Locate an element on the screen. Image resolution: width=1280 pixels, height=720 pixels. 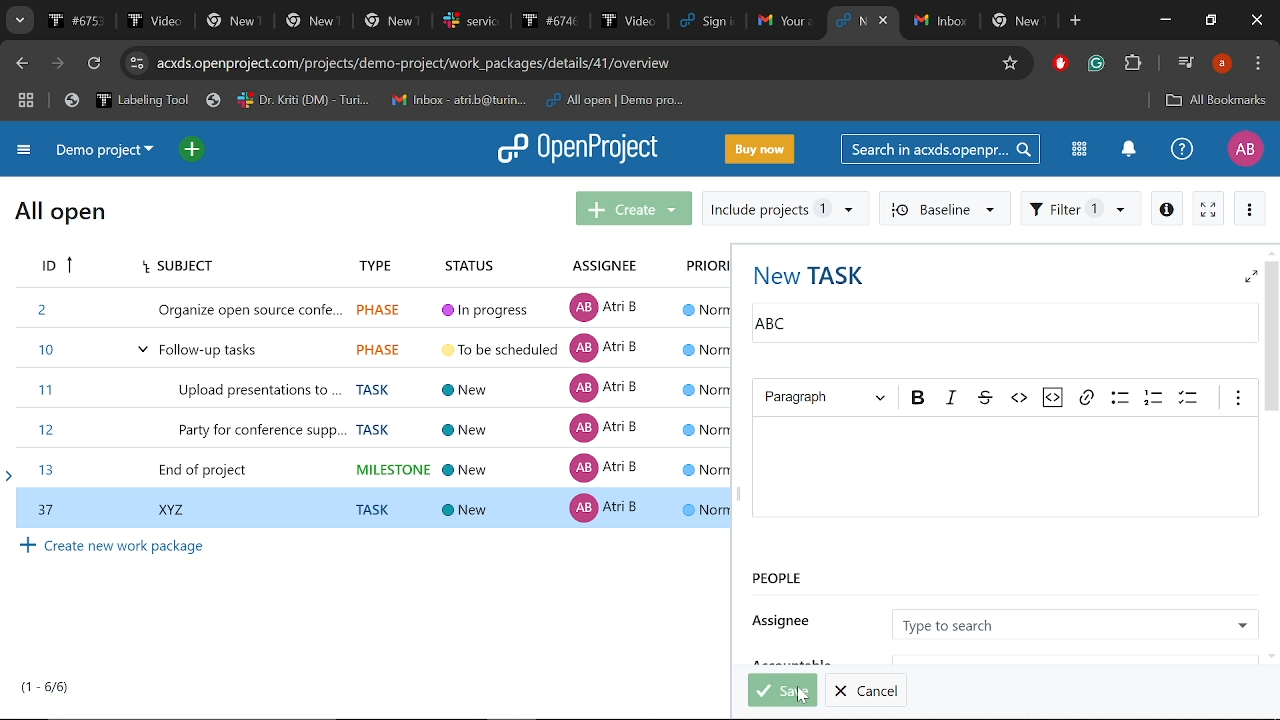
To-do list is located at coordinates (1190, 398).